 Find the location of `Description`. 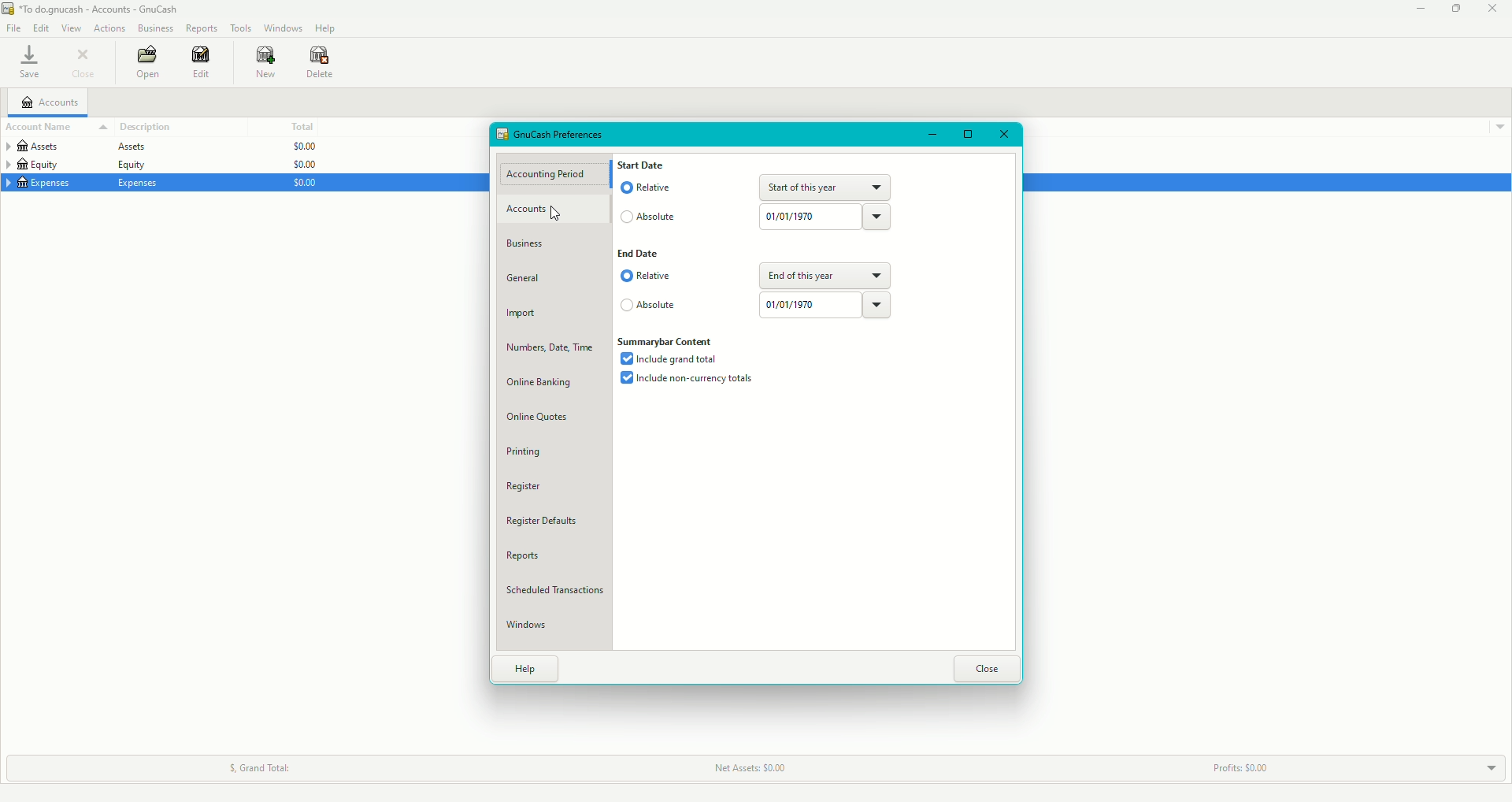

Description is located at coordinates (146, 127).